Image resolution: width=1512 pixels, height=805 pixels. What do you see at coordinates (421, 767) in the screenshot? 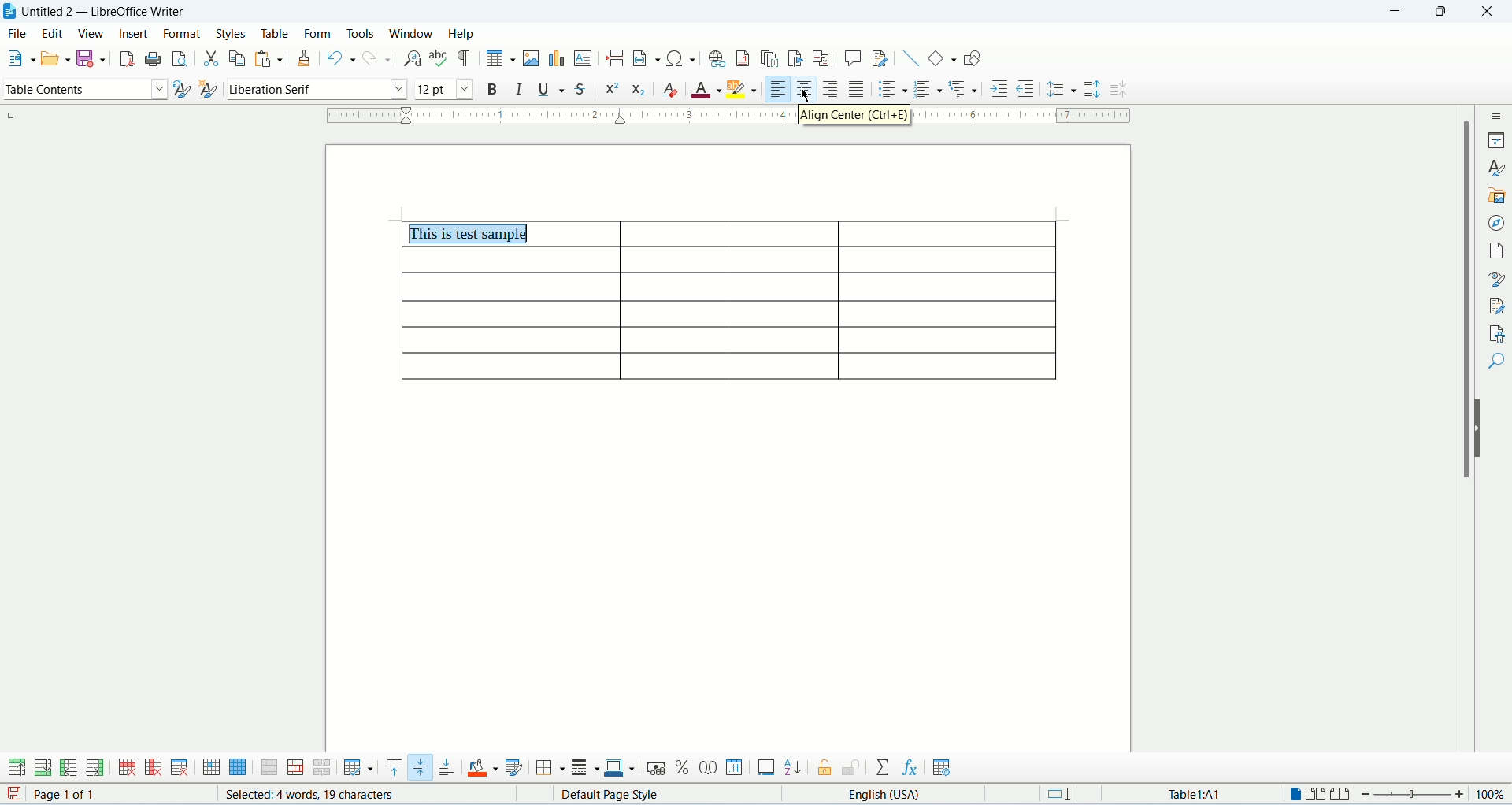
I see `center vertically` at bounding box center [421, 767].